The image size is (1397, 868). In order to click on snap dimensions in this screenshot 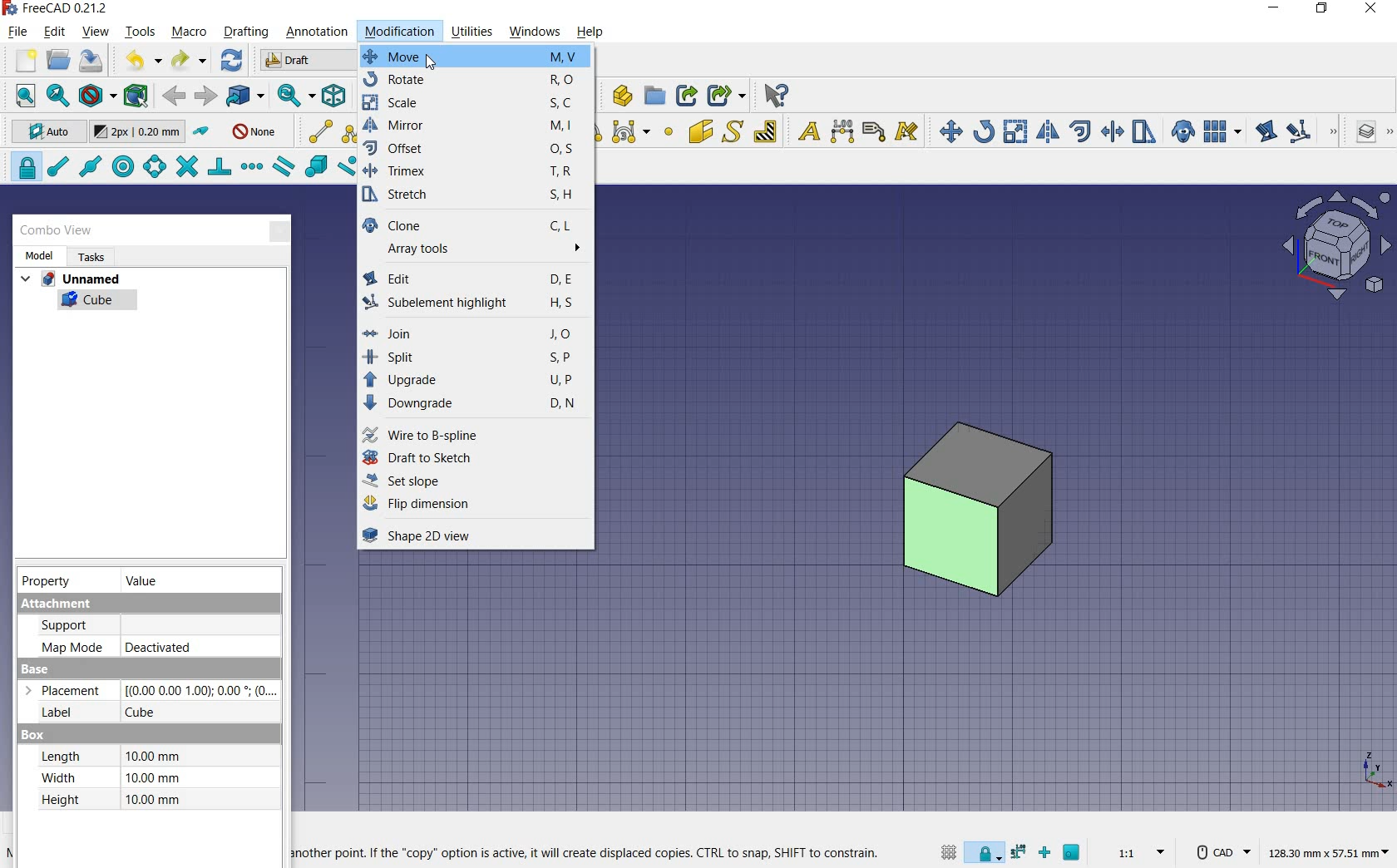, I will do `click(1019, 851)`.